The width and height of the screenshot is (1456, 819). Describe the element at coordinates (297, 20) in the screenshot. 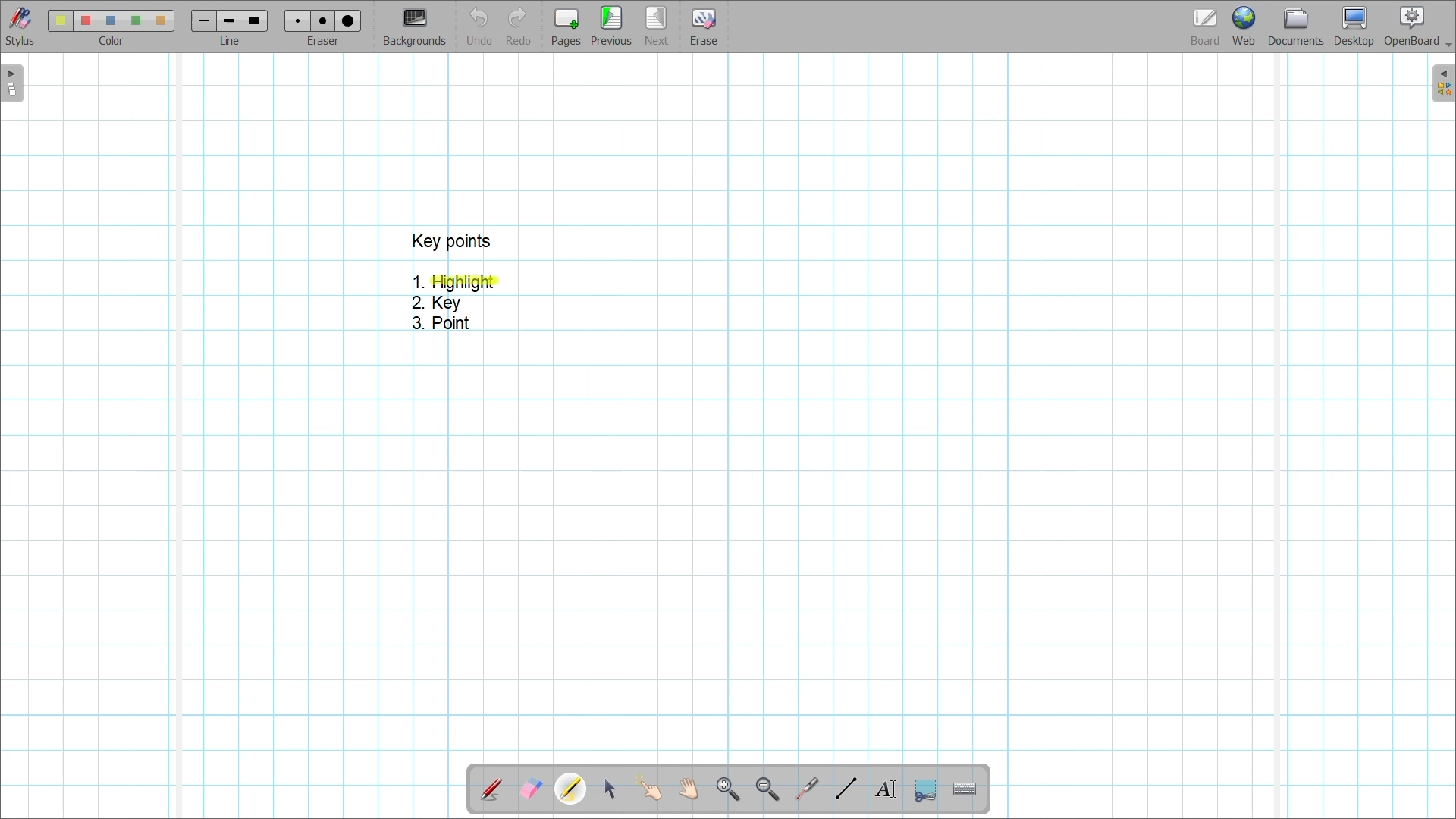

I see `Eraser 1` at that location.